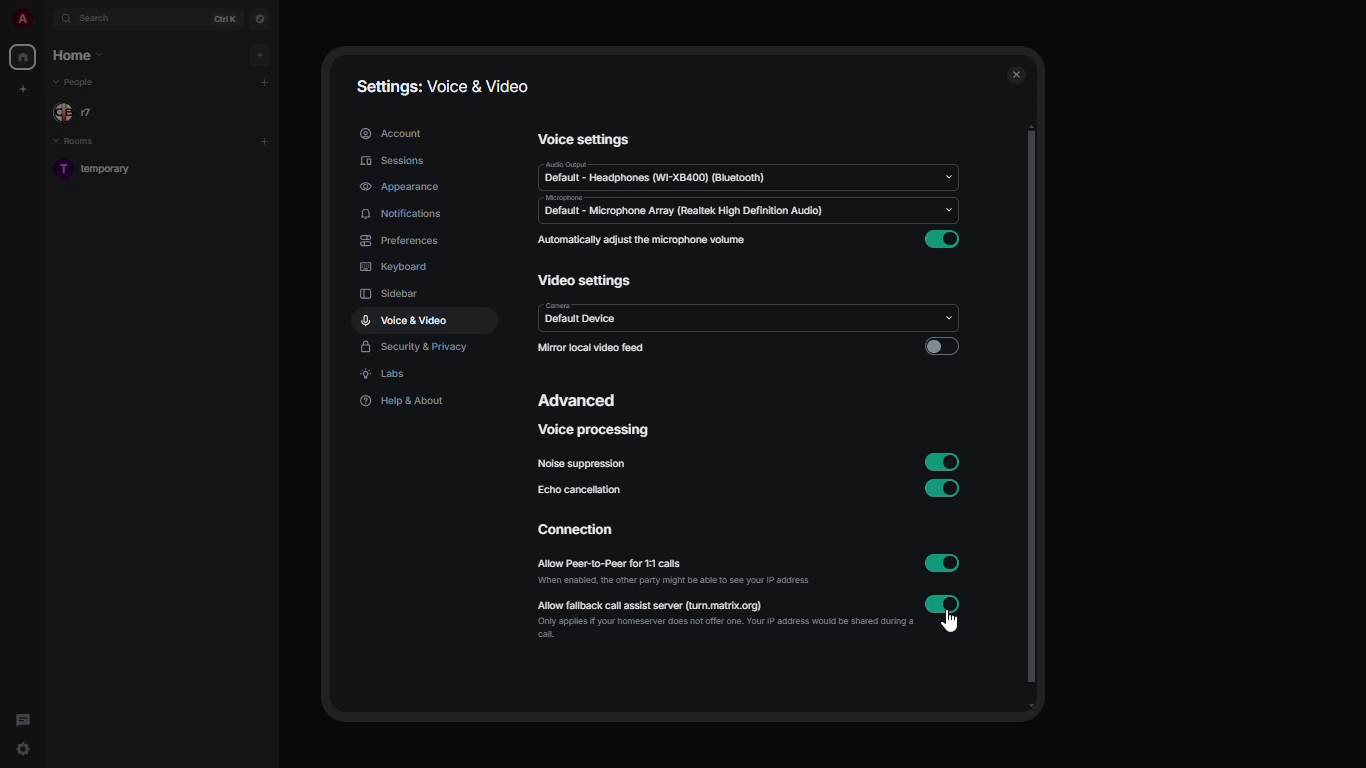  I want to click on quick settings, so click(26, 750).